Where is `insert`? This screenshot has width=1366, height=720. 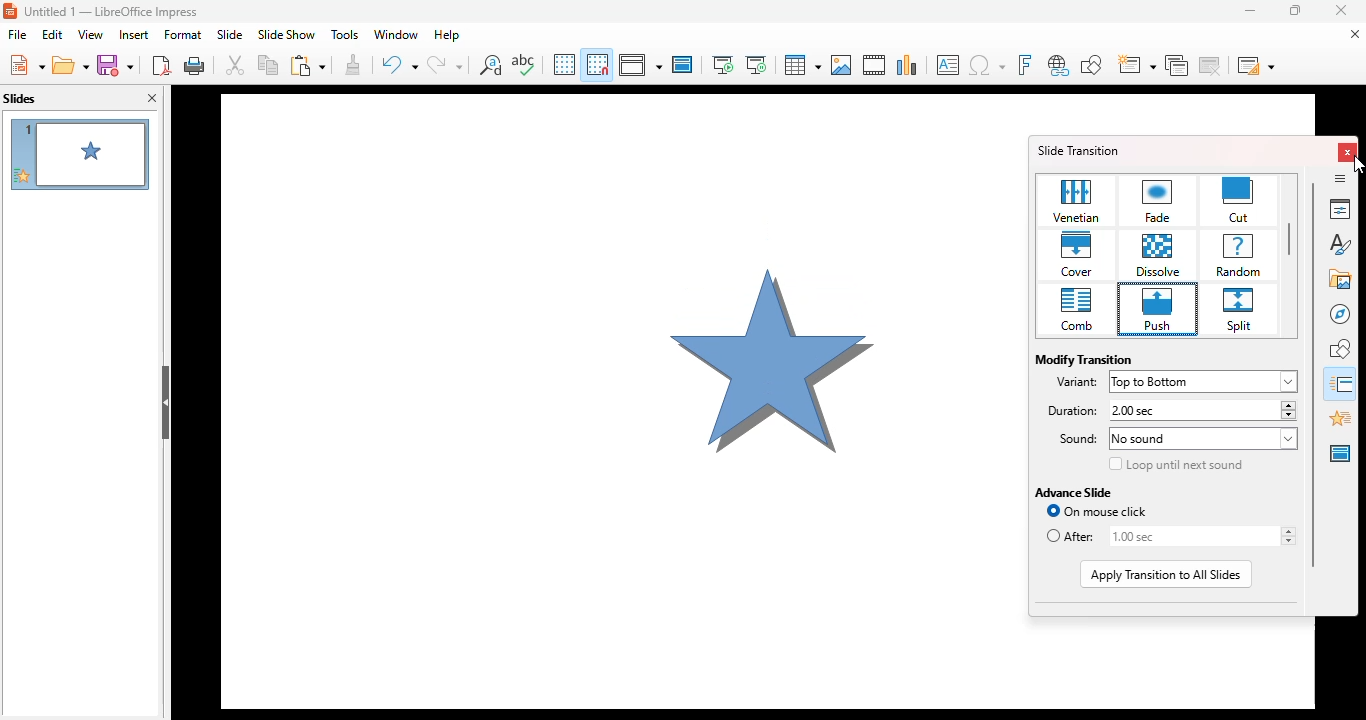 insert is located at coordinates (135, 34).